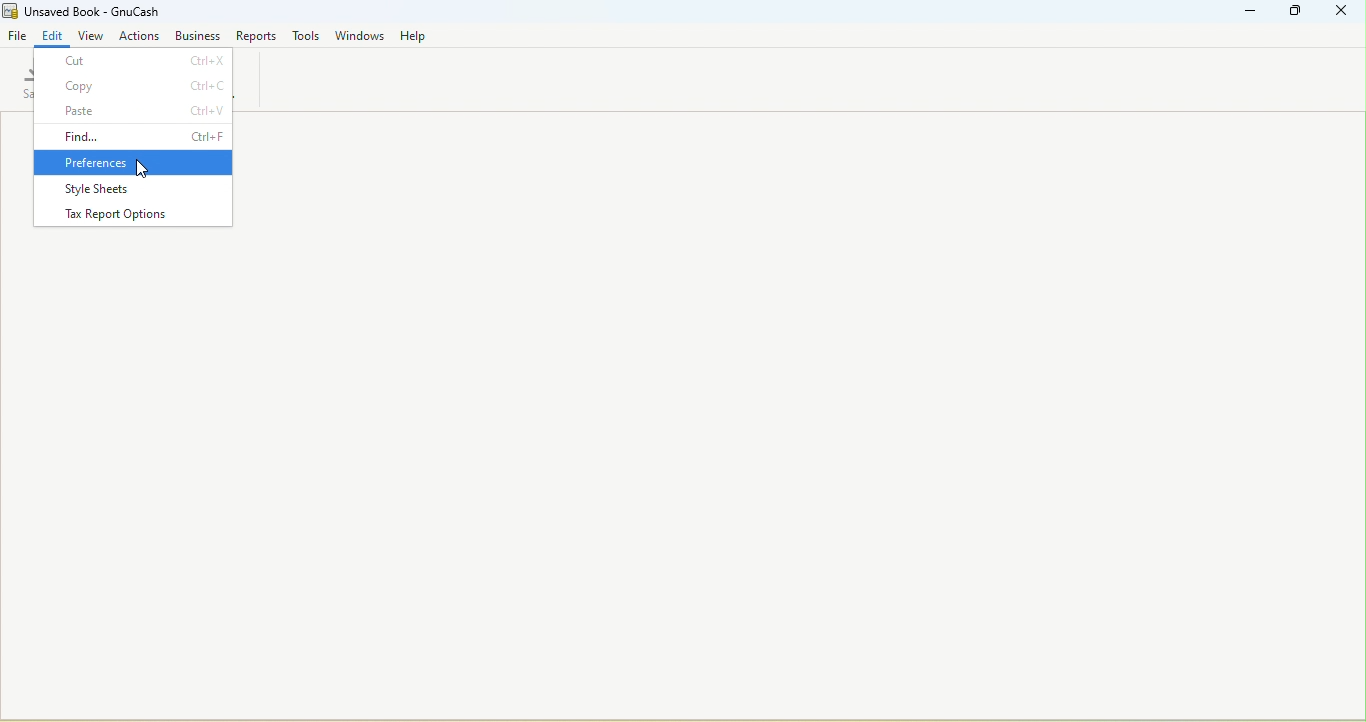  What do you see at coordinates (133, 87) in the screenshot?
I see `Copy` at bounding box center [133, 87].